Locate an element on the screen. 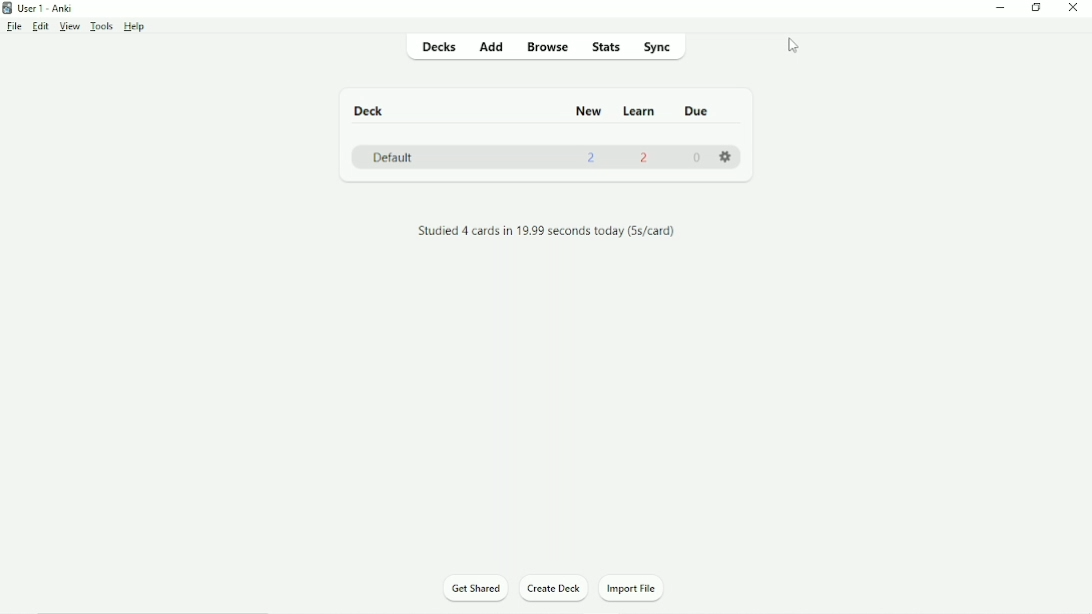 The width and height of the screenshot is (1092, 614). Browse is located at coordinates (549, 49).